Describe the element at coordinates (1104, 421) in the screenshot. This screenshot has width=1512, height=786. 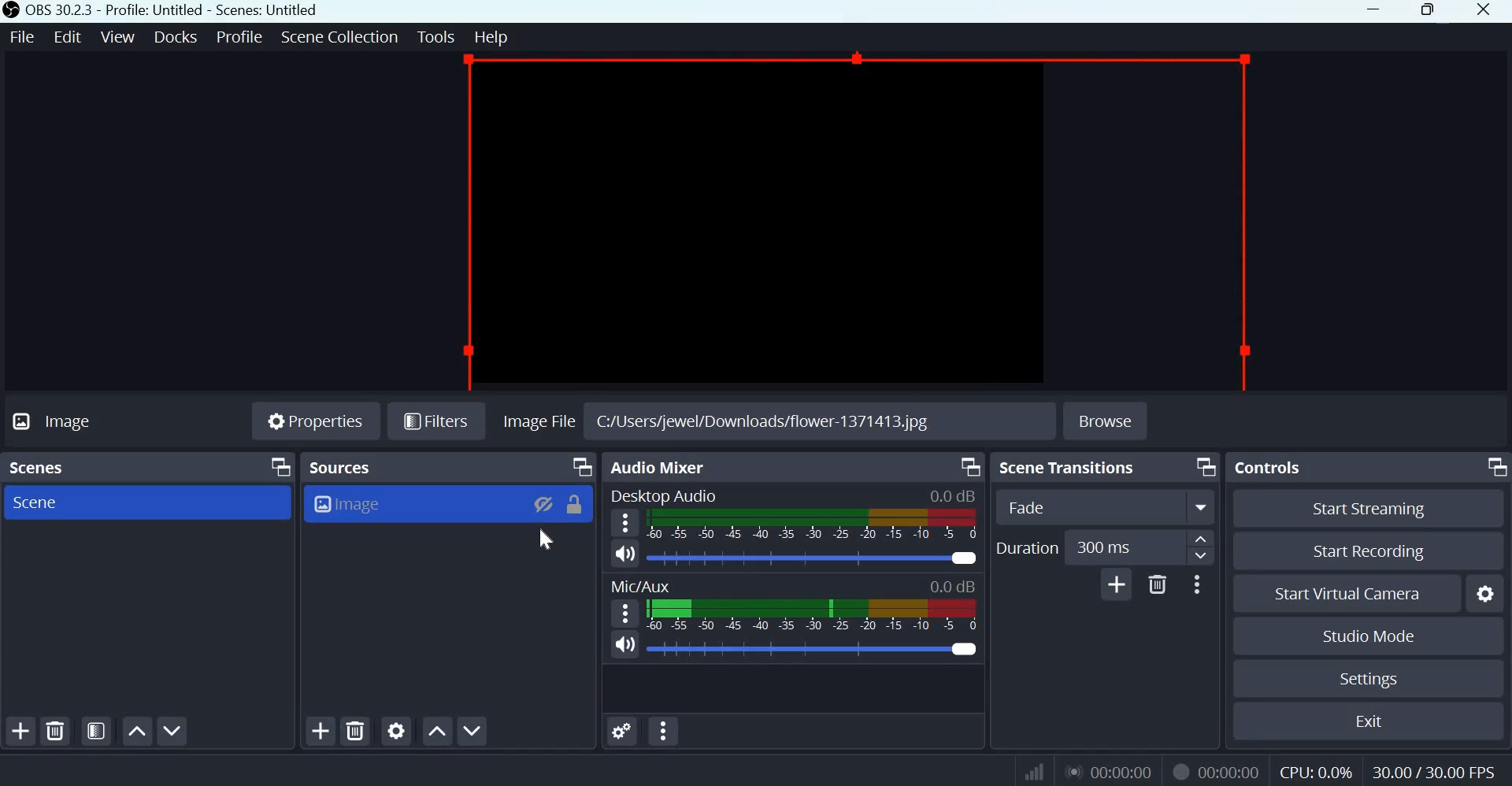
I see `Browse` at that location.